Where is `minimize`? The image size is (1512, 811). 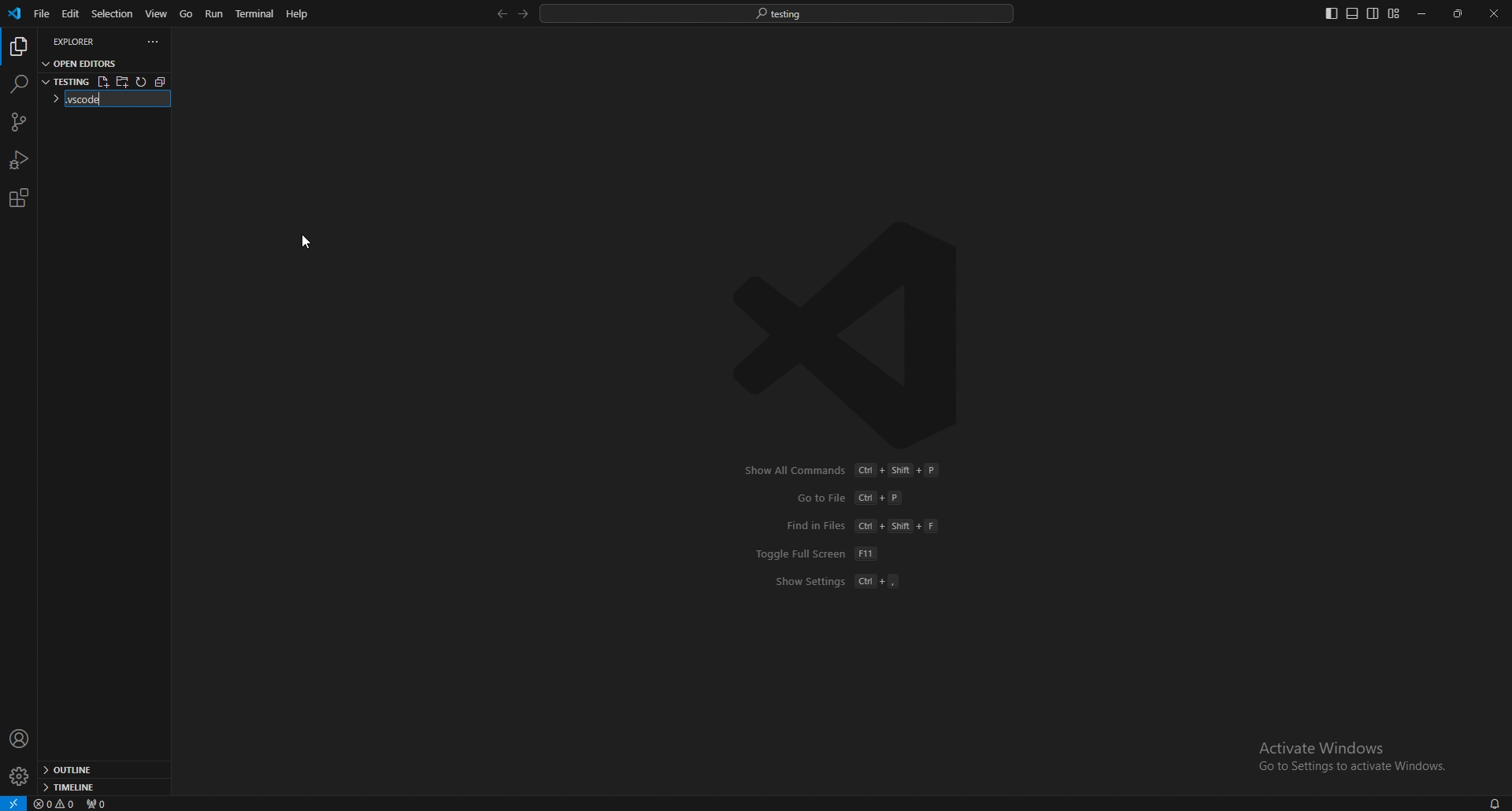
minimize is located at coordinates (1423, 14).